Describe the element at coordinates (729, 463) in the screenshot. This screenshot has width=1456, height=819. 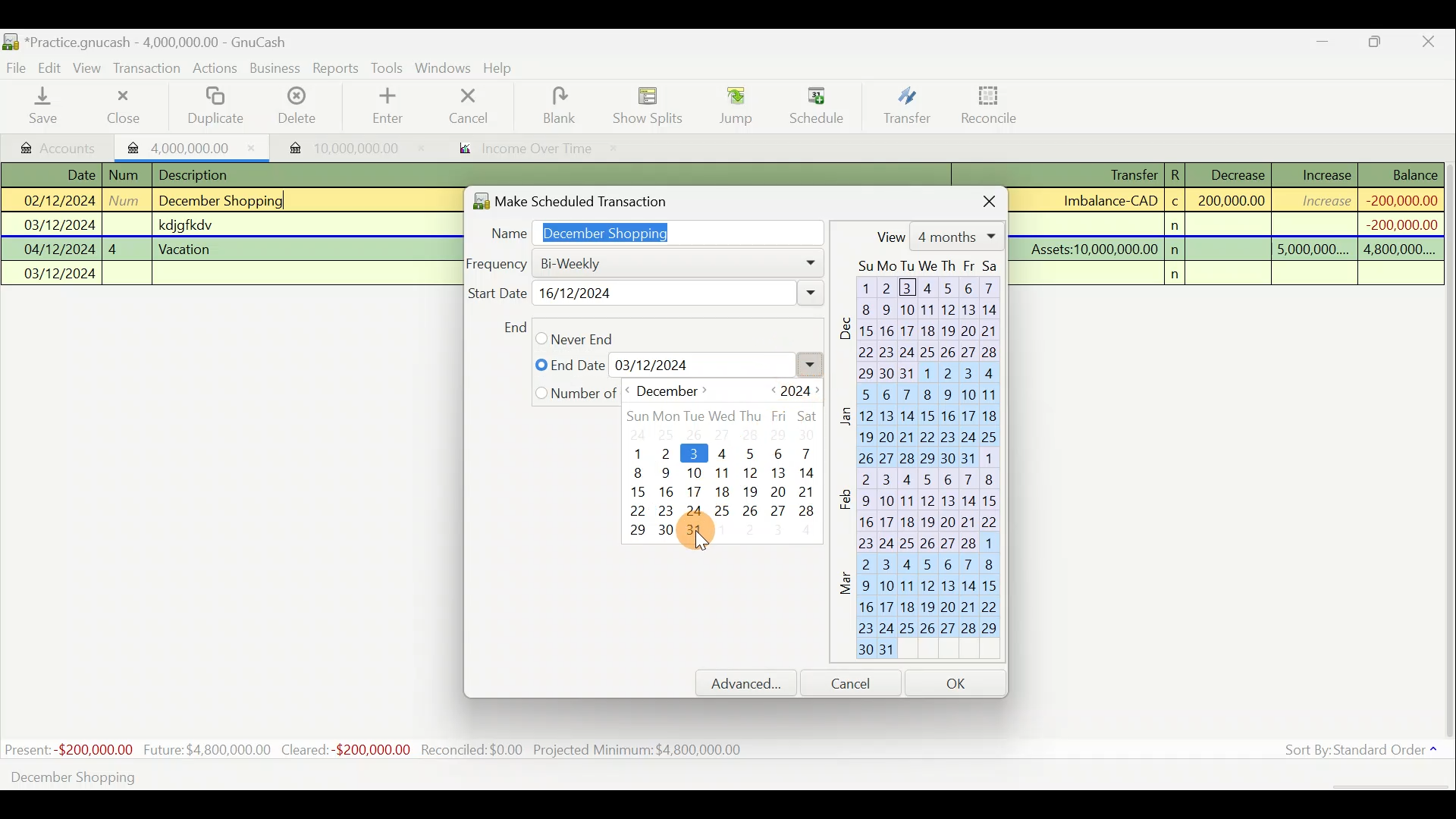
I see `Calender` at that location.